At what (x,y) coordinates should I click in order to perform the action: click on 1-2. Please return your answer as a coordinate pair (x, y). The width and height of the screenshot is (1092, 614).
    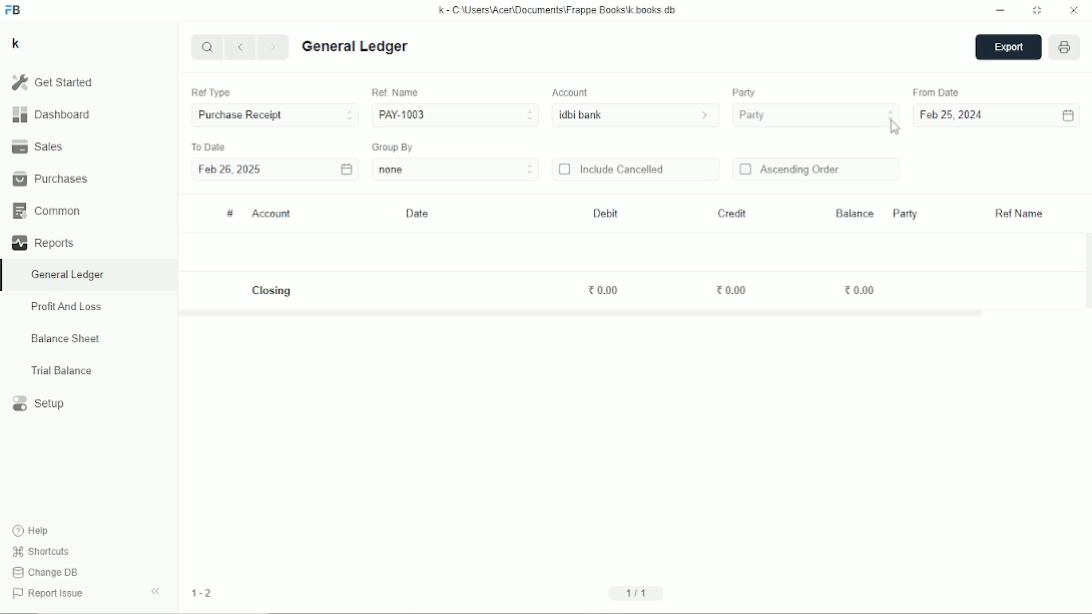
    Looking at the image, I should click on (202, 593).